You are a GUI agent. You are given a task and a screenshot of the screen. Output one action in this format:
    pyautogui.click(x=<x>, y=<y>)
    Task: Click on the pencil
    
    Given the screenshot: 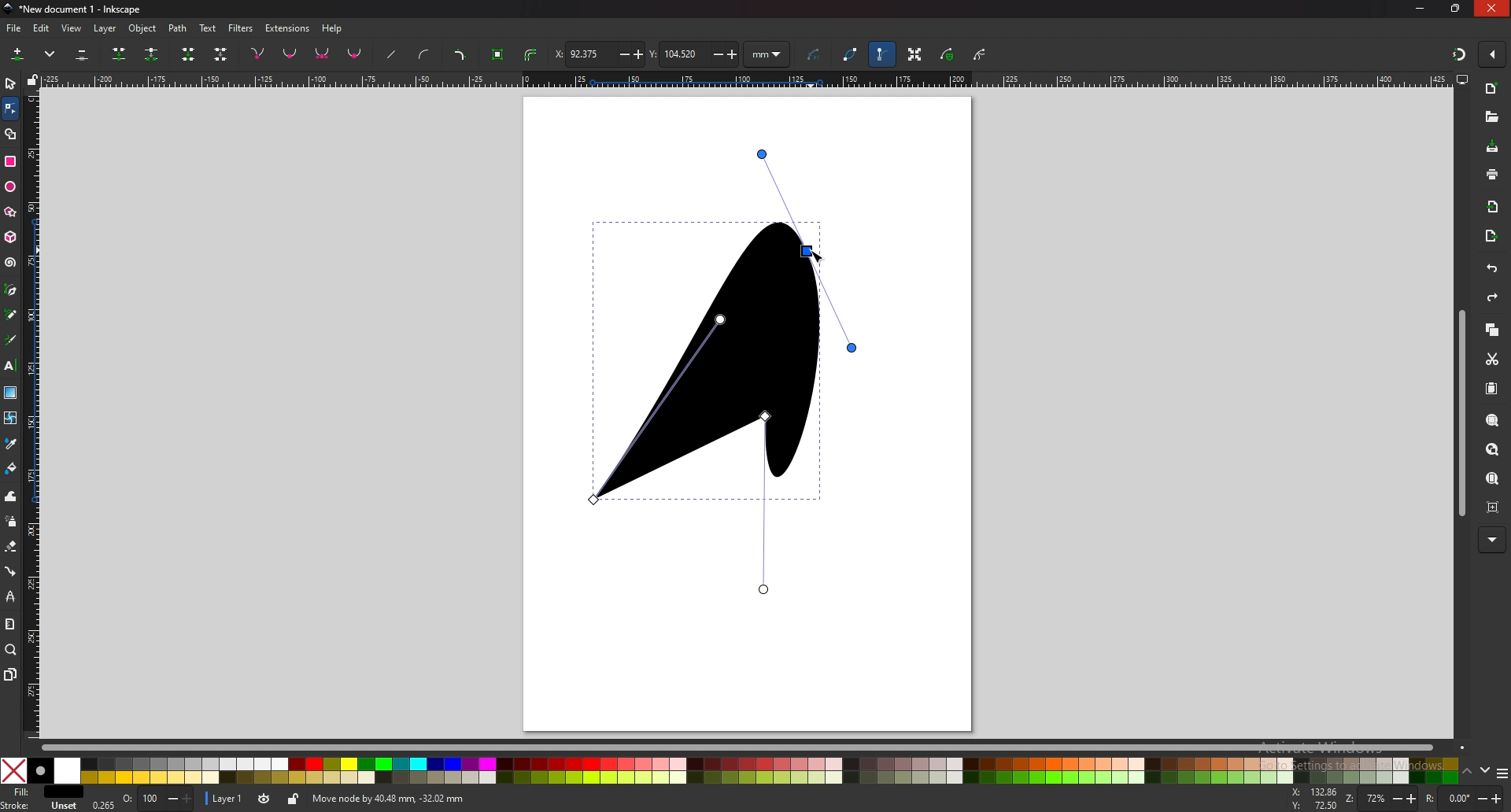 What is the action you would take?
    pyautogui.click(x=13, y=315)
    